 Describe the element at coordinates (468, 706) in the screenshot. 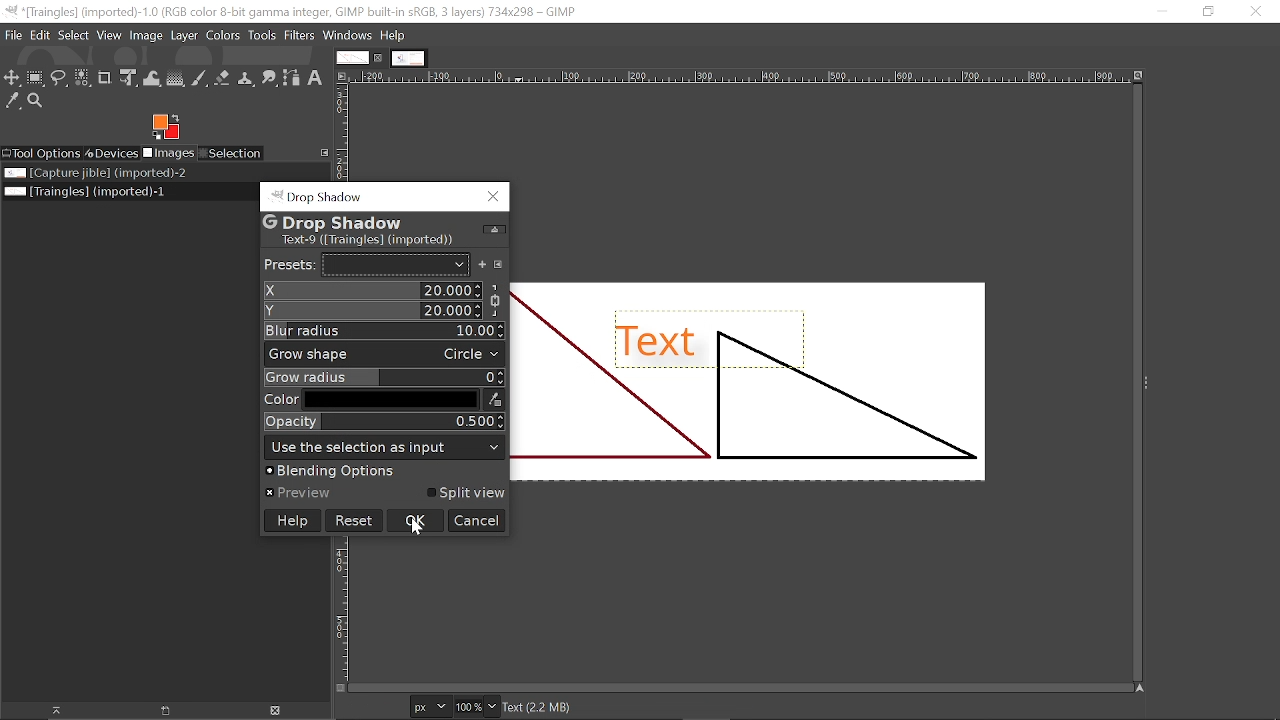

I see `Current zoom` at that location.